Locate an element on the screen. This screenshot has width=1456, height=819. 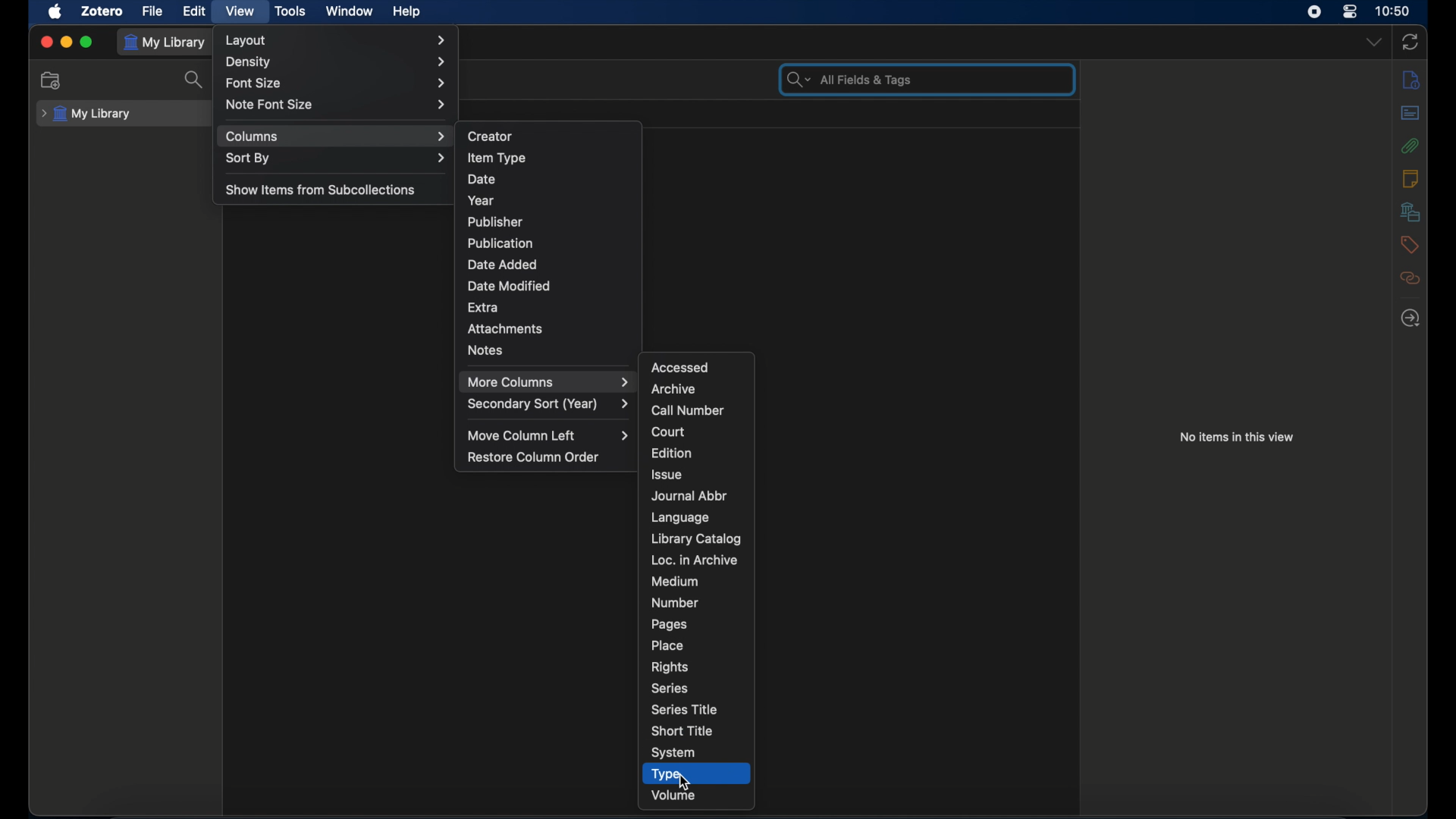
edit is located at coordinates (195, 11).